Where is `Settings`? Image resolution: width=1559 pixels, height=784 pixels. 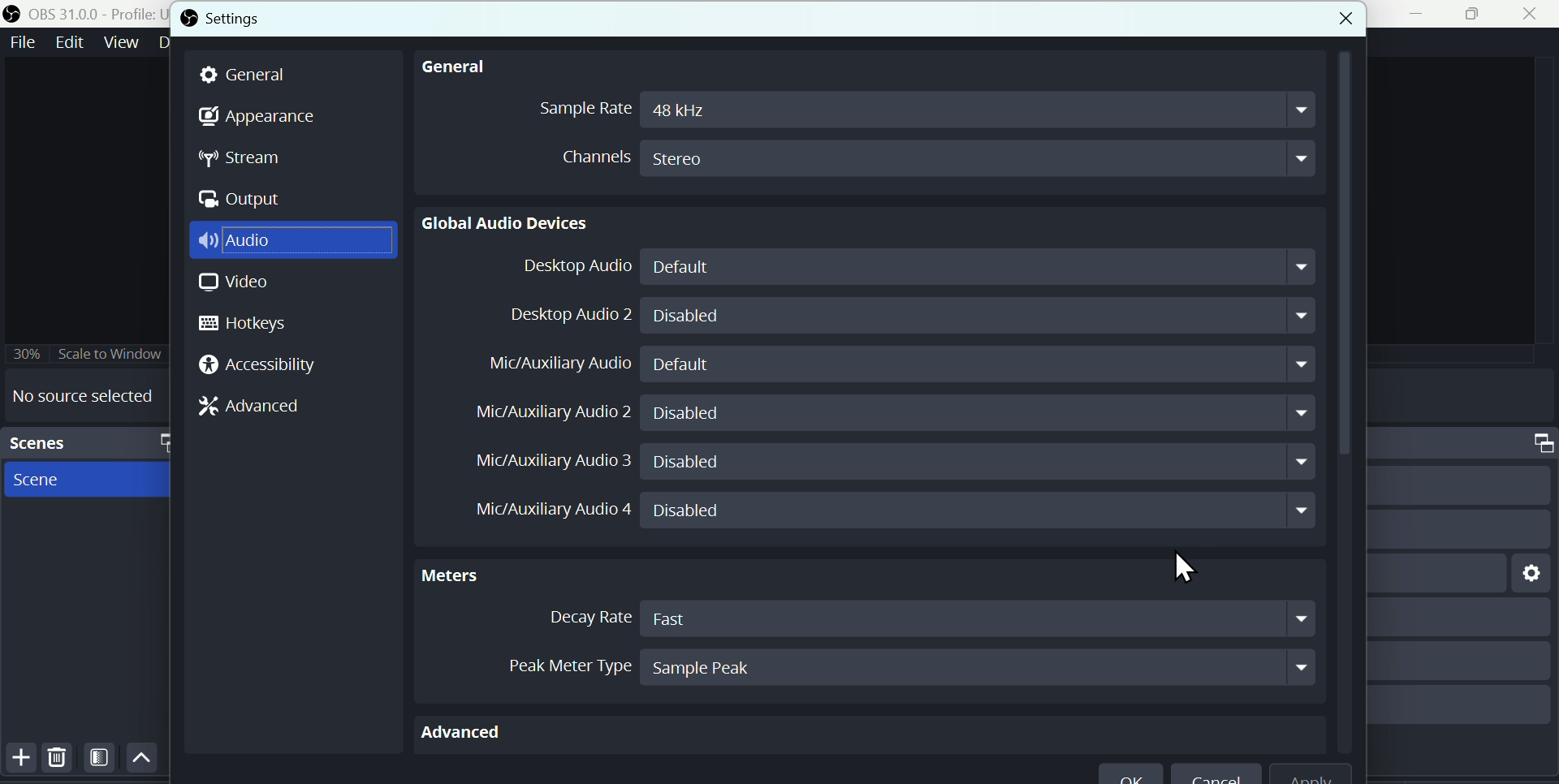
Settings is located at coordinates (261, 18).